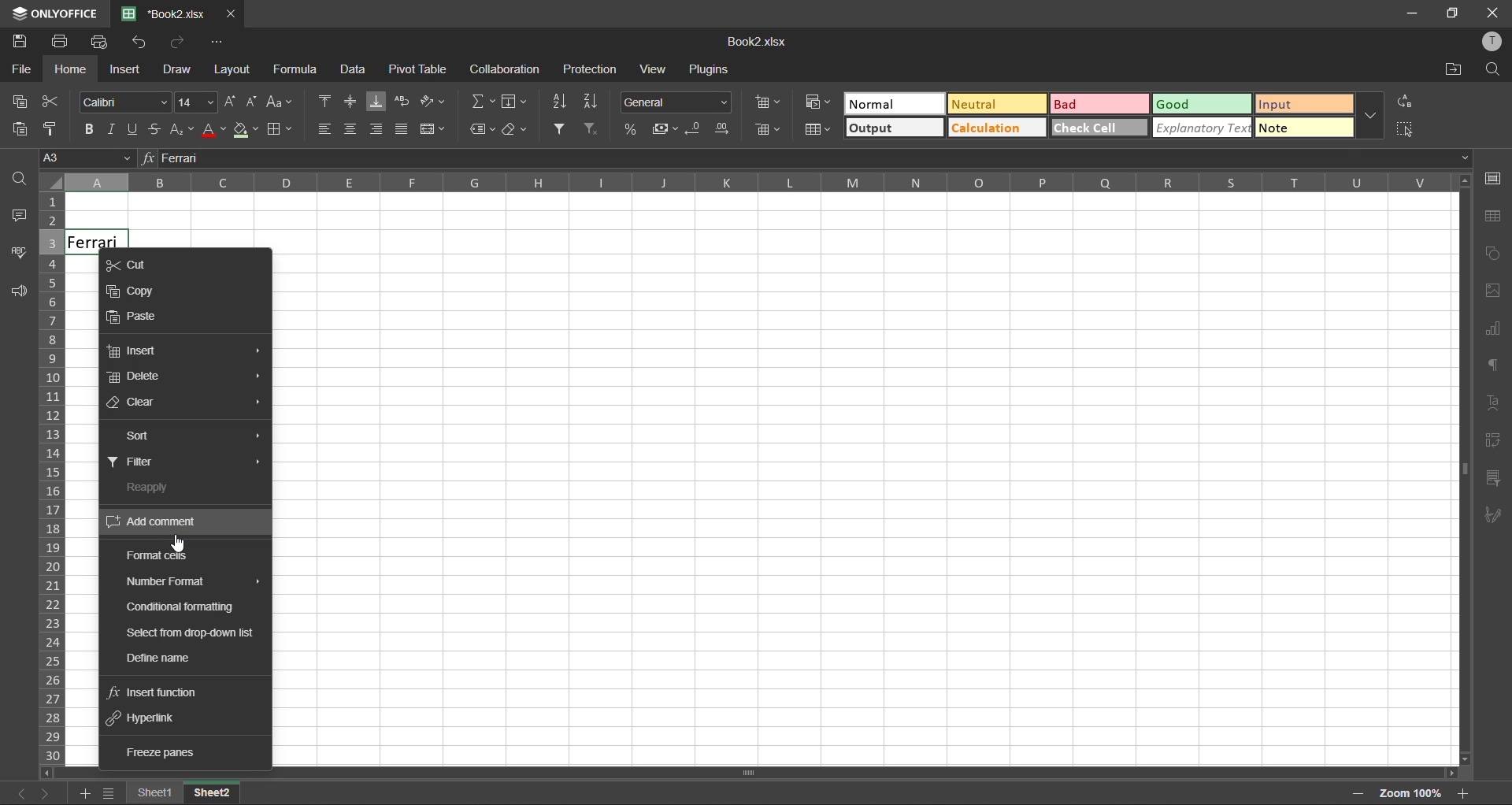  Describe the element at coordinates (150, 793) in the screenshot. I see `sheet names` at that location.